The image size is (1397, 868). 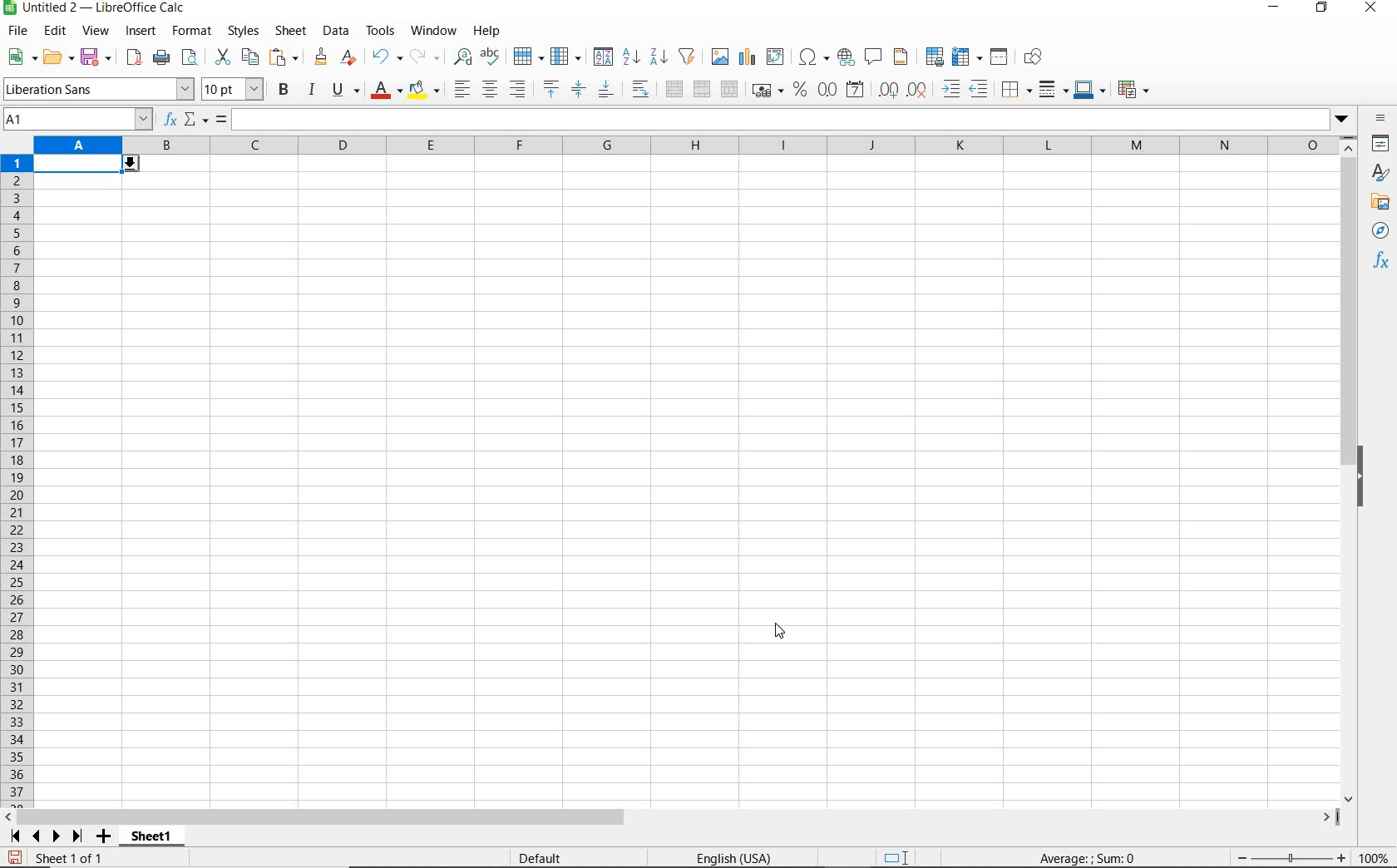 I want to click on font size, so click(x=233, y=89).